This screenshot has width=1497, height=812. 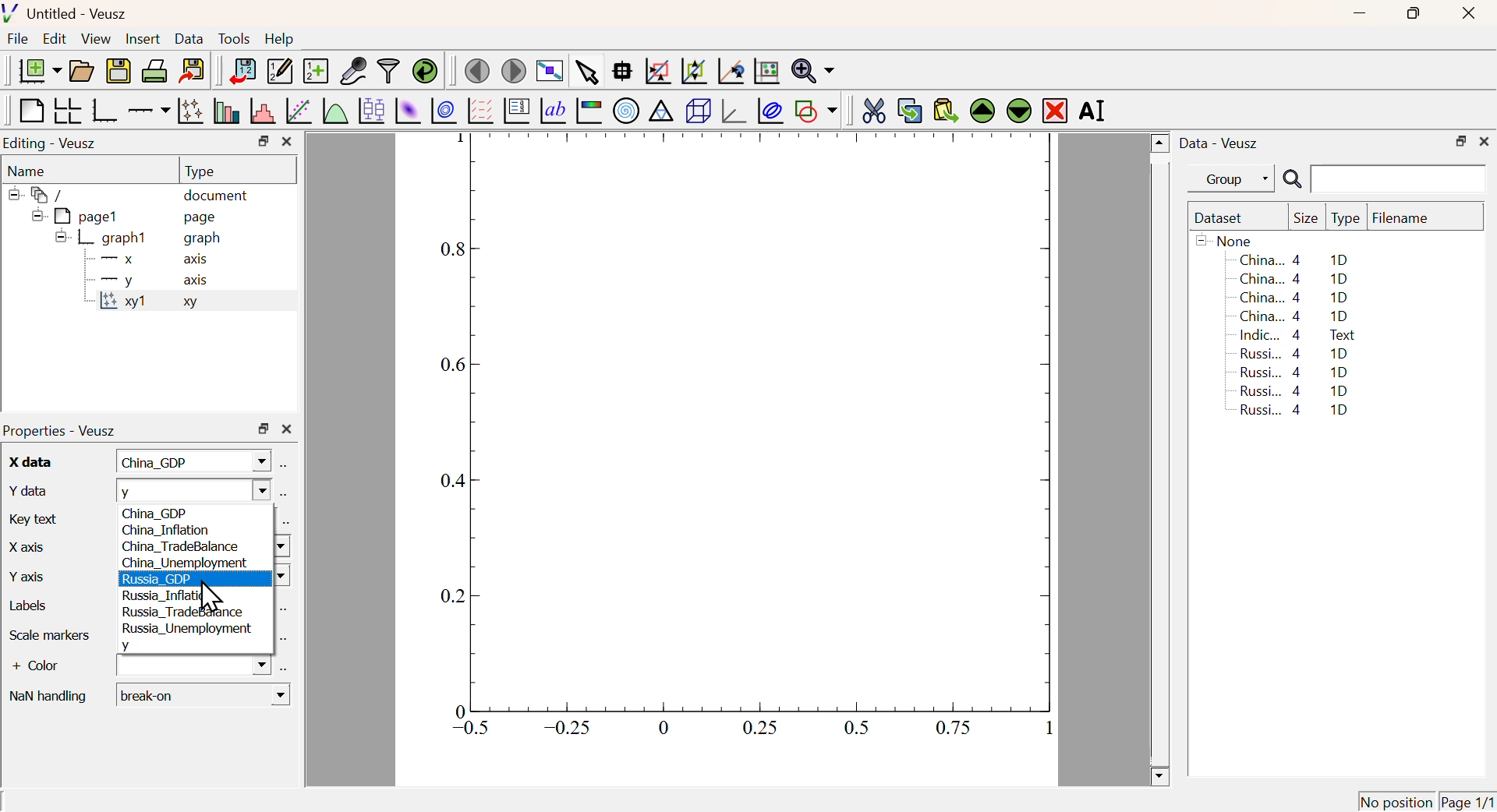 What do you see at coordinates (1297, 353) in the screenshot?
I see `Russi... 4 1D` at bounding box center [1297, 353].